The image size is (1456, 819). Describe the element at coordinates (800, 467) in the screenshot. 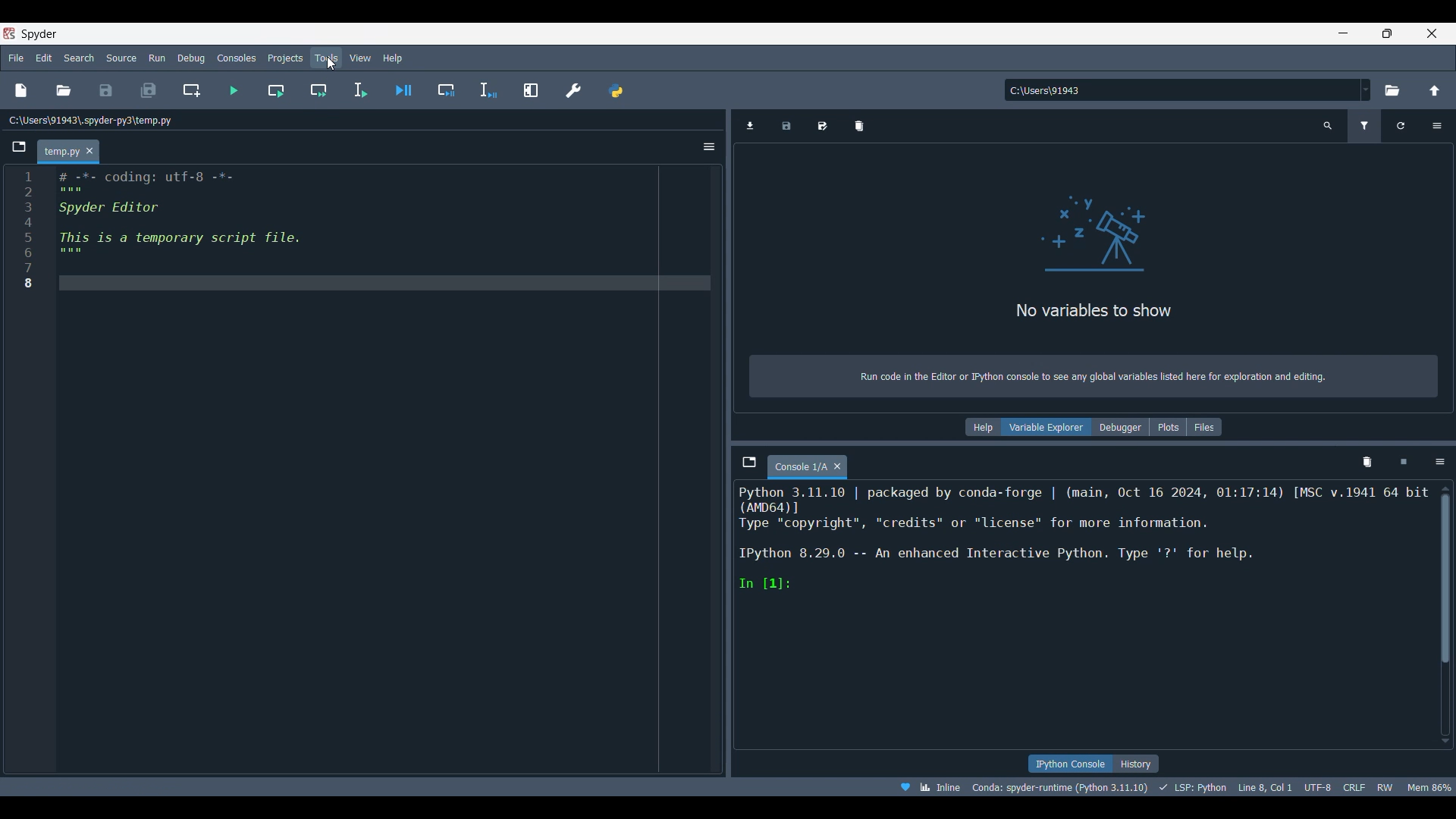

I see `Current tab` at that location.